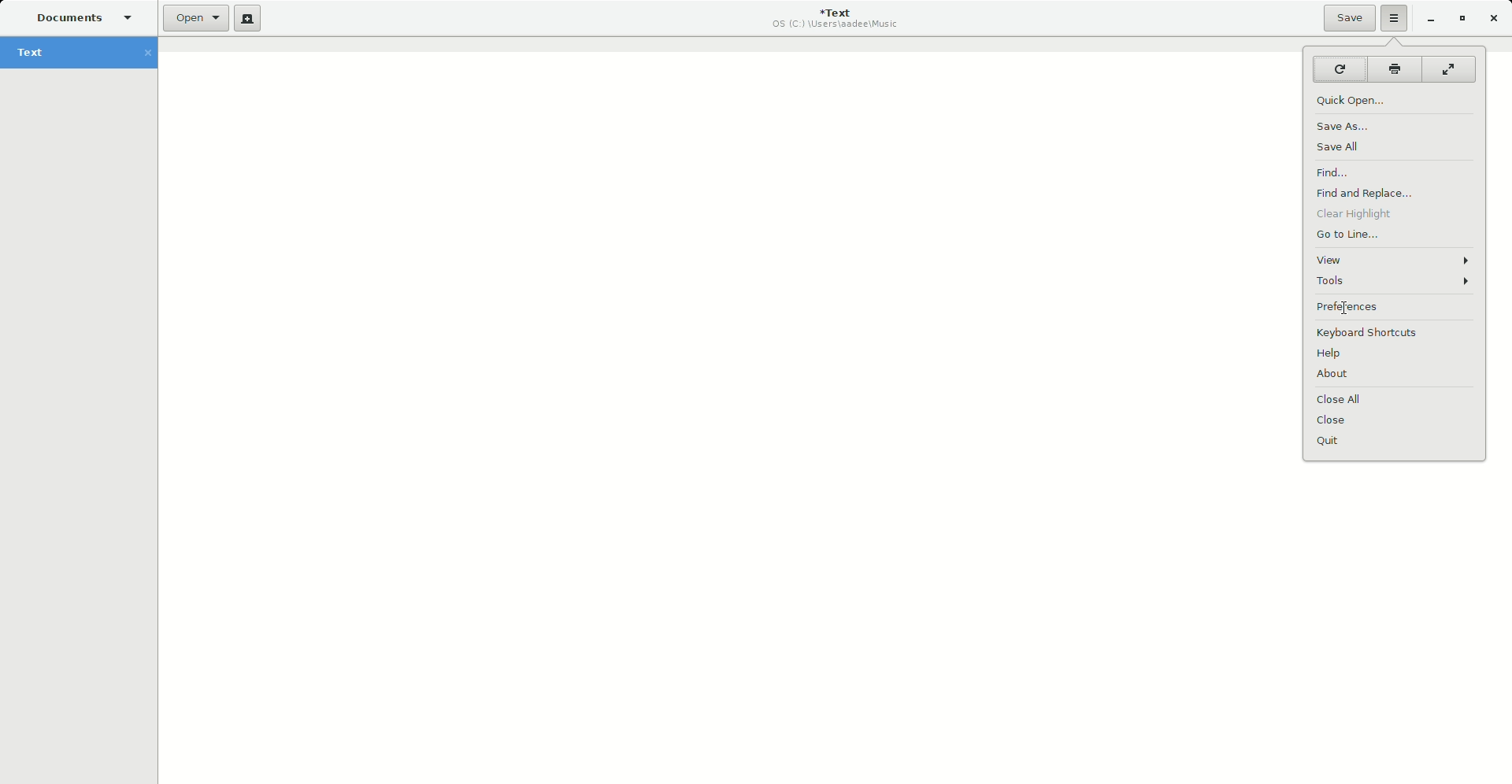 This screenshot has height=784, width=1512. Describe the element at coordinates (1339, 422) in the screenshot. I see `Close` at that location.